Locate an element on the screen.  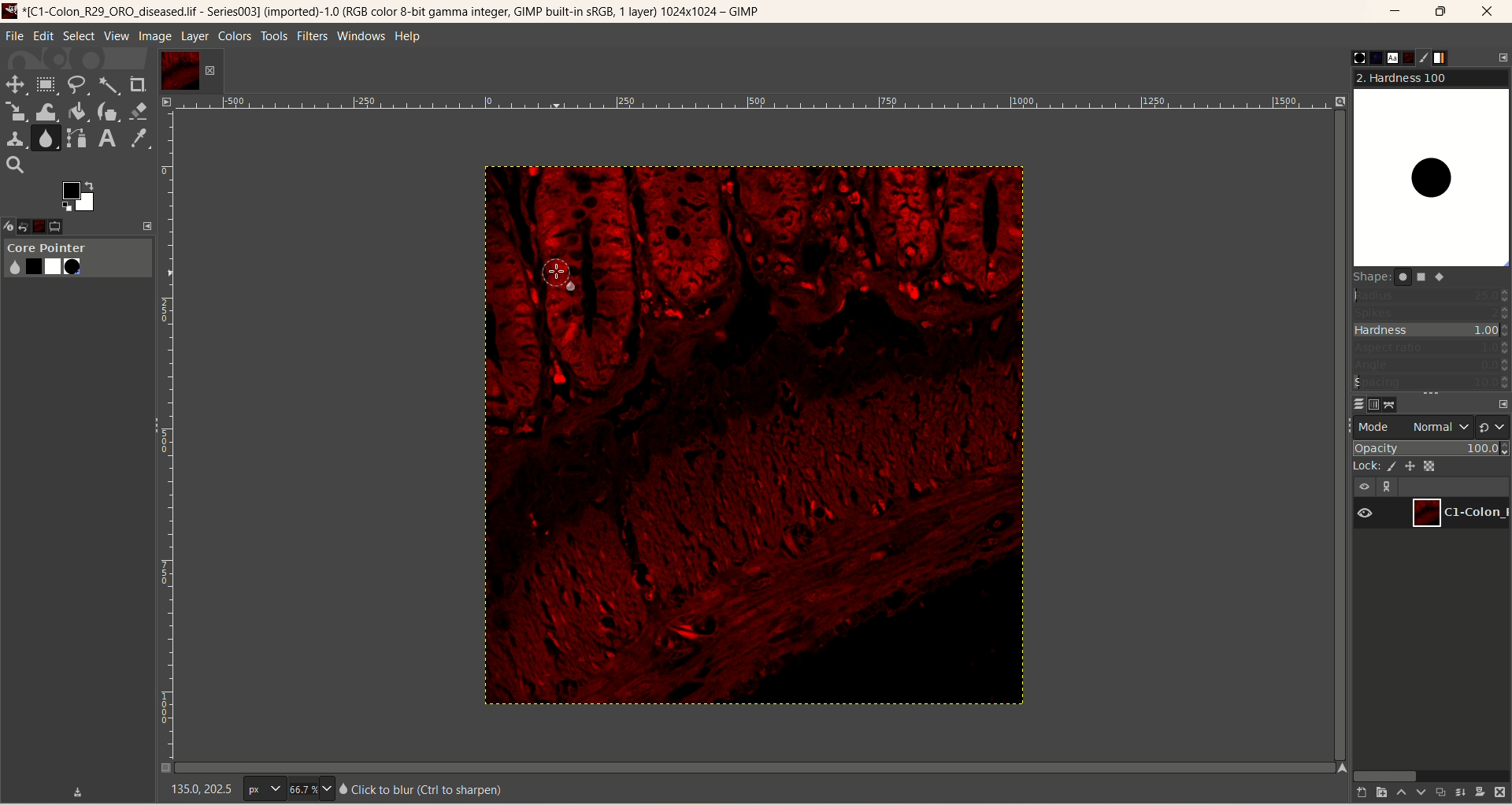
layers is located at coordinates (1352, 402).